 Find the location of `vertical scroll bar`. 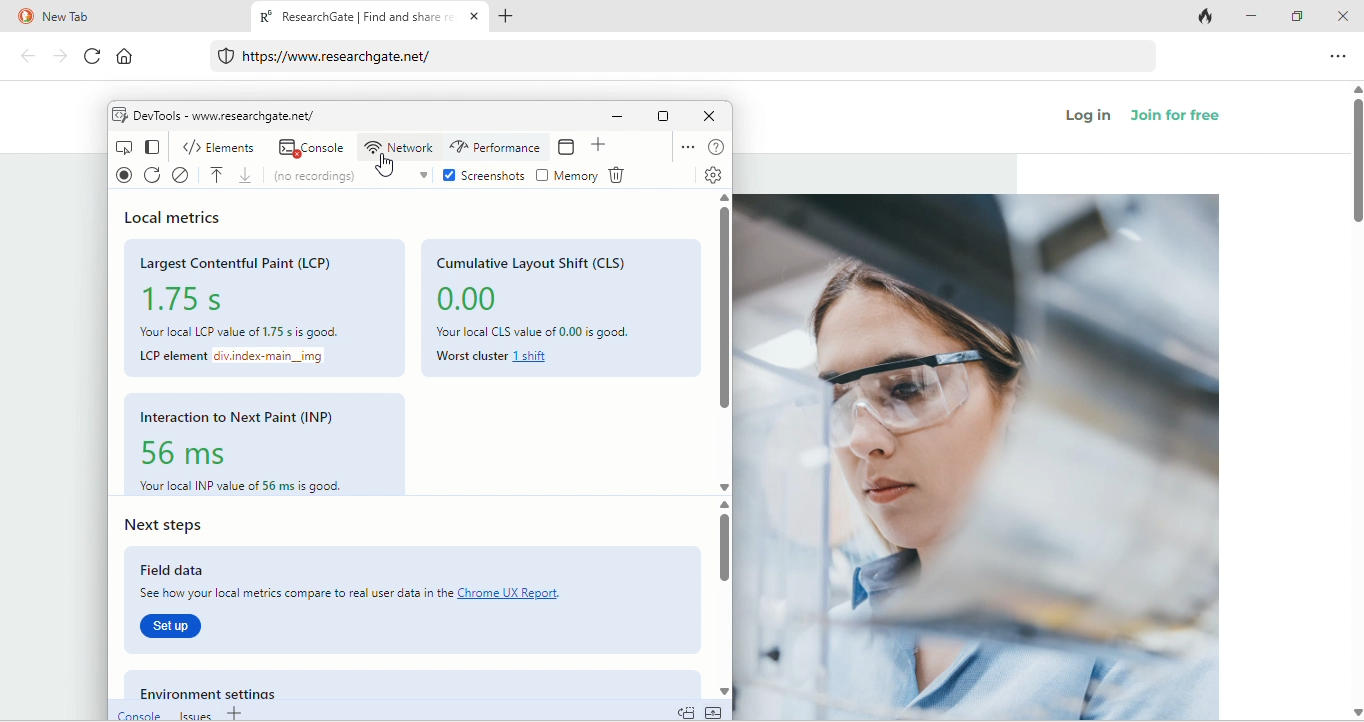

vertical scroll bar is located at coordinates (723, 552).